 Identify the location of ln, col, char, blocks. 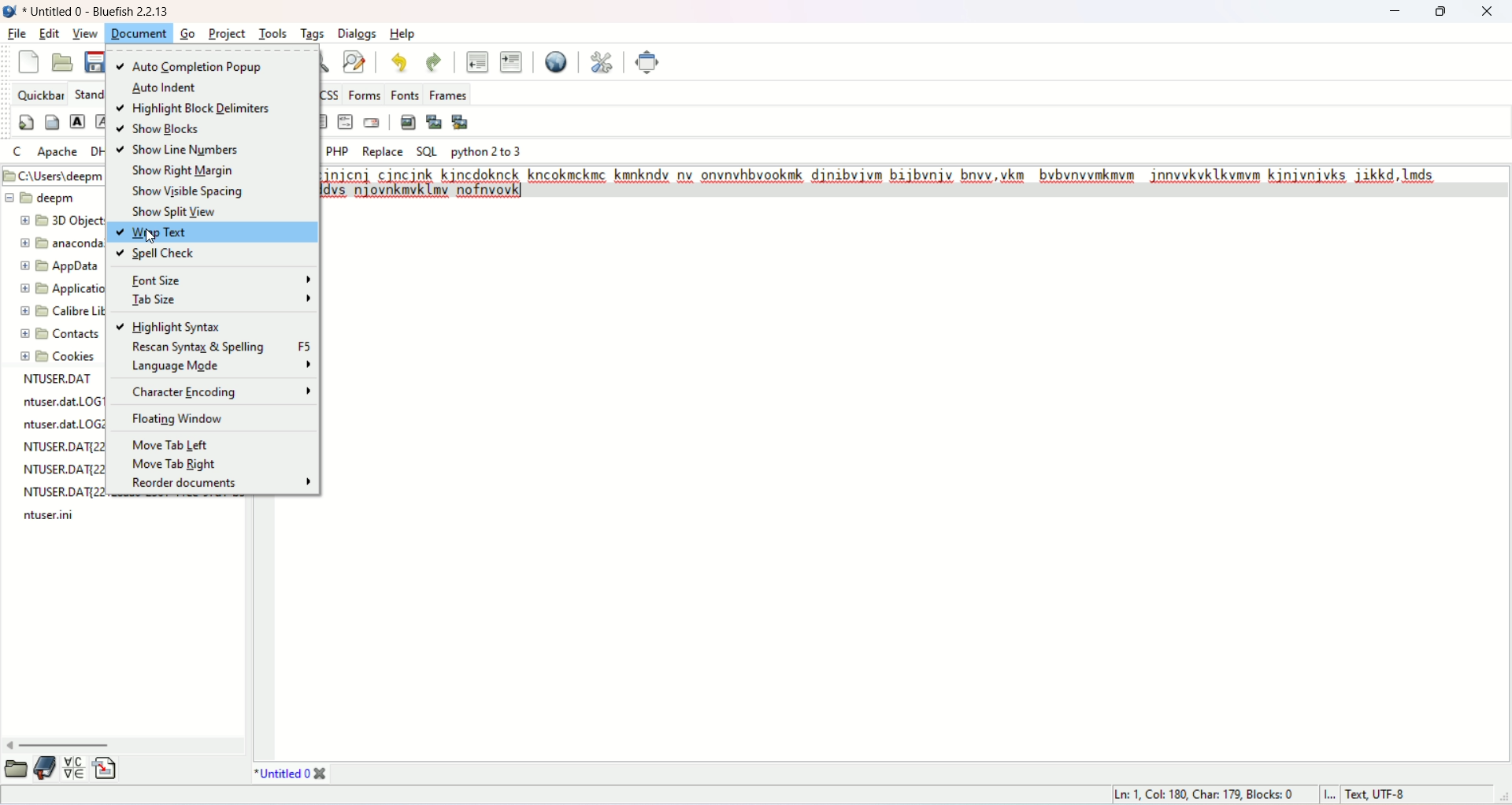
(1201, 794).